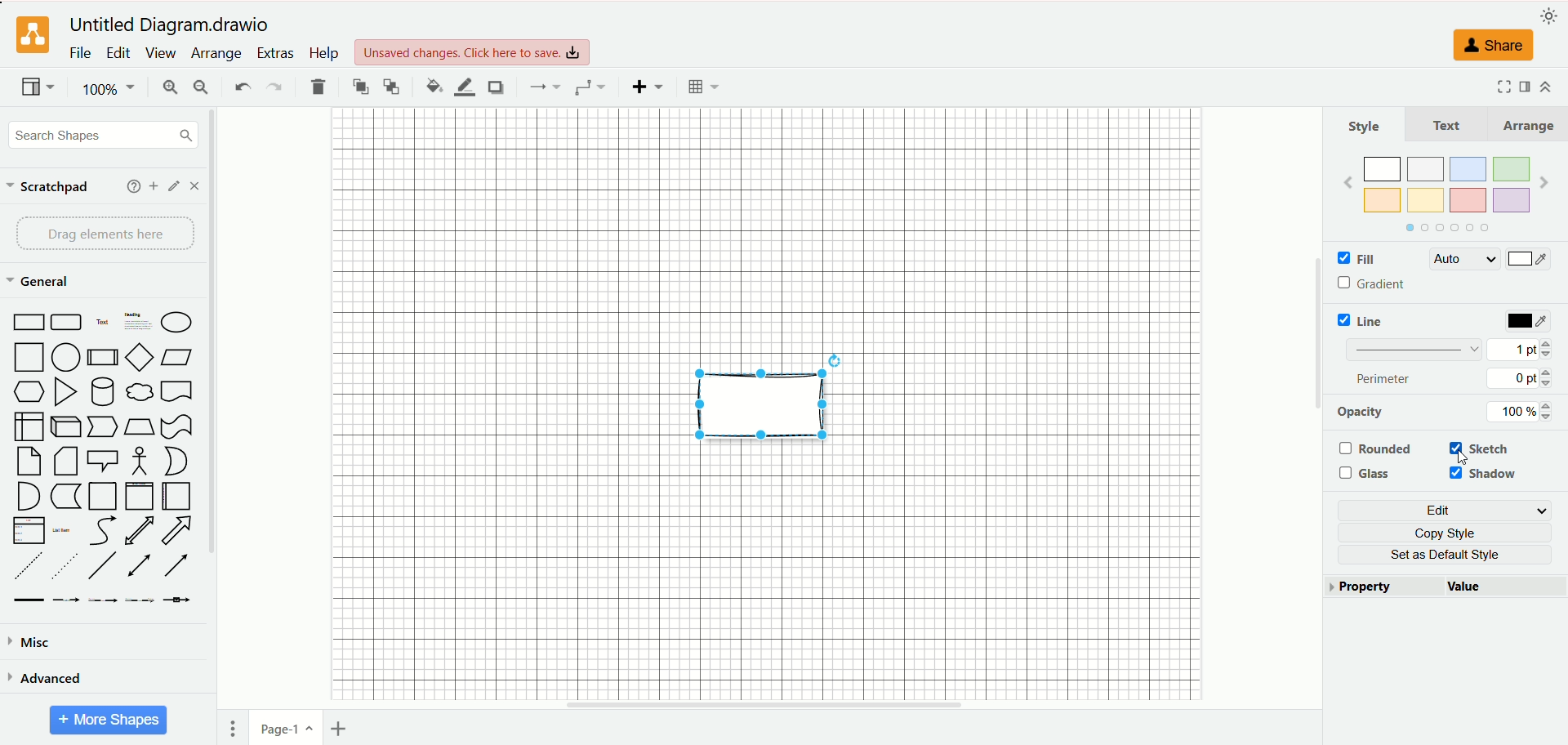 The image size is (1568, 745). I want to click on fill, so click(1355, 260).